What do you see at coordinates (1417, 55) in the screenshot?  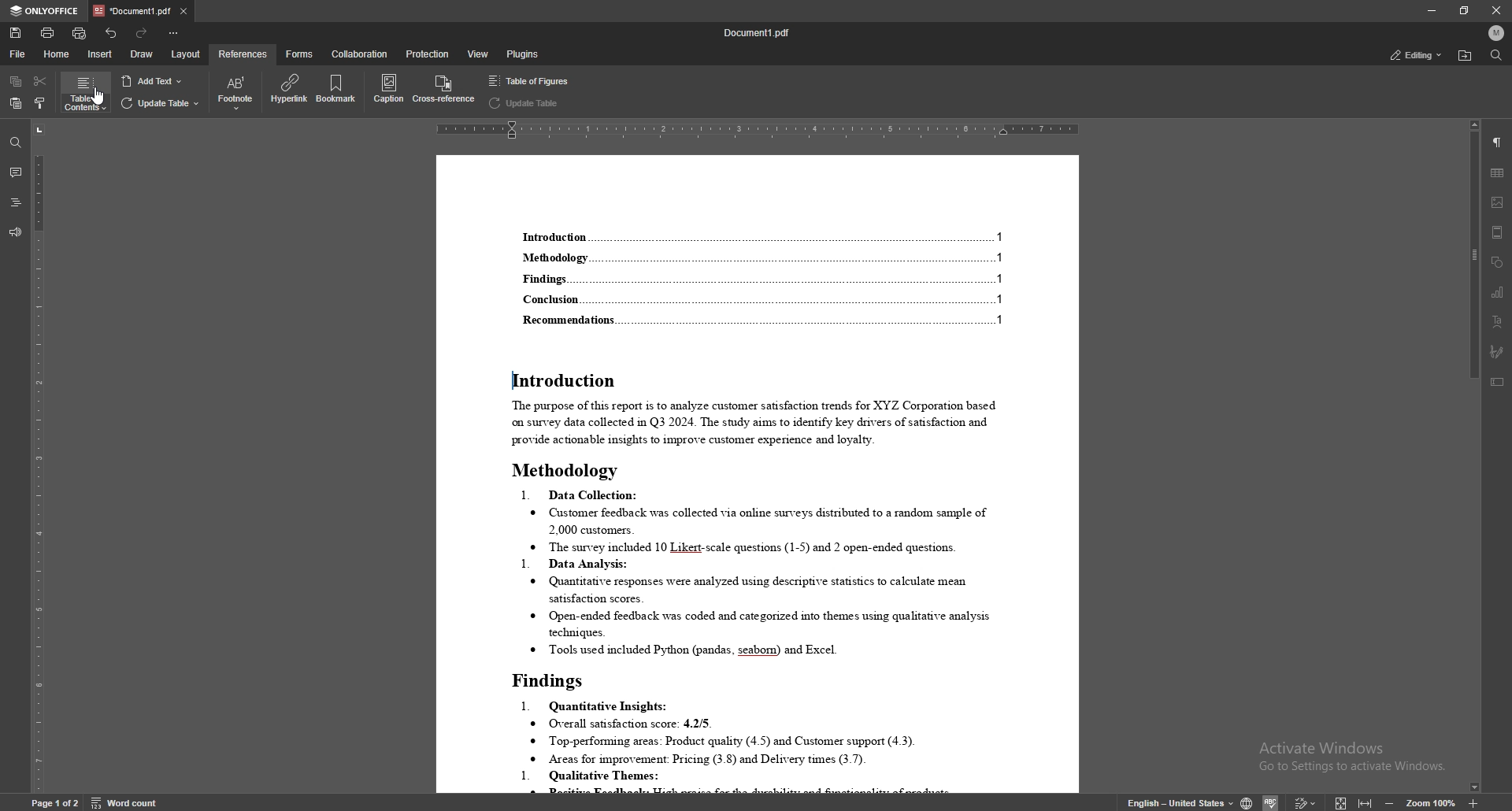 I see `status` at bounding box center [1417, 55].